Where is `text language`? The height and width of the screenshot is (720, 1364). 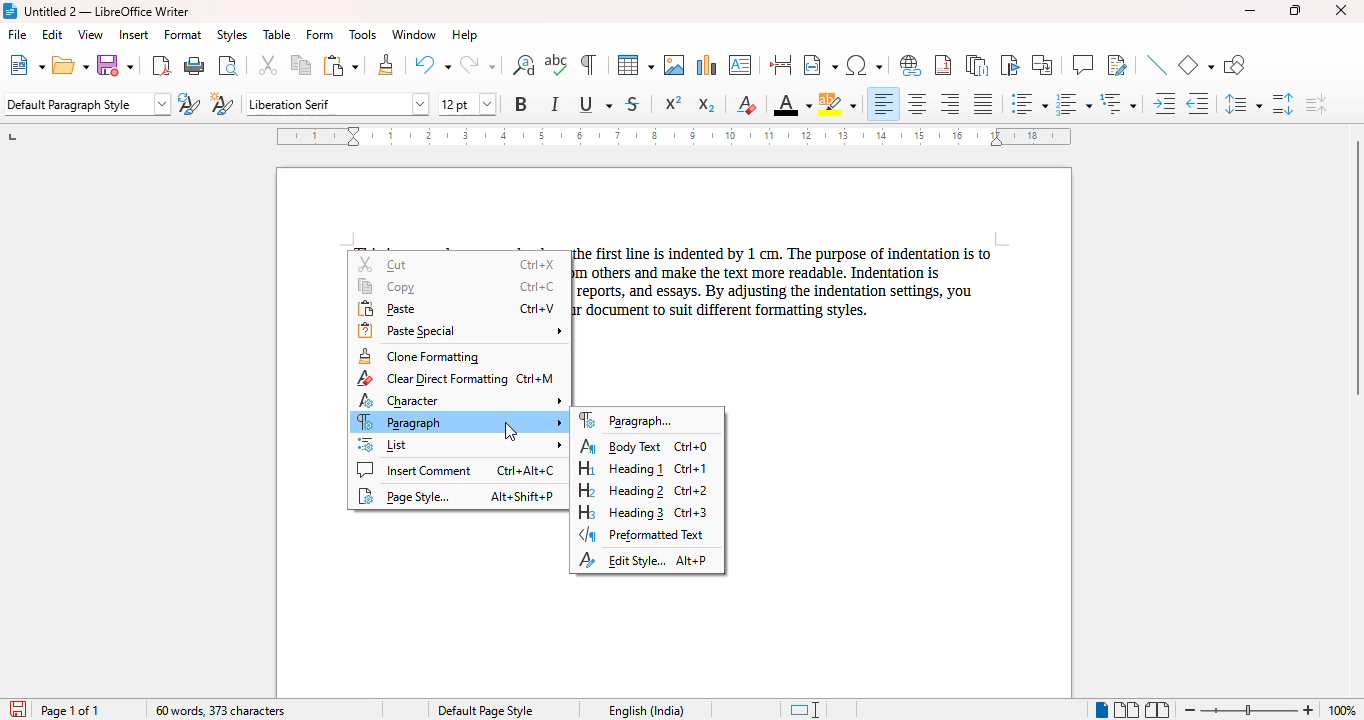 text language is located at coordinates (648, 710).